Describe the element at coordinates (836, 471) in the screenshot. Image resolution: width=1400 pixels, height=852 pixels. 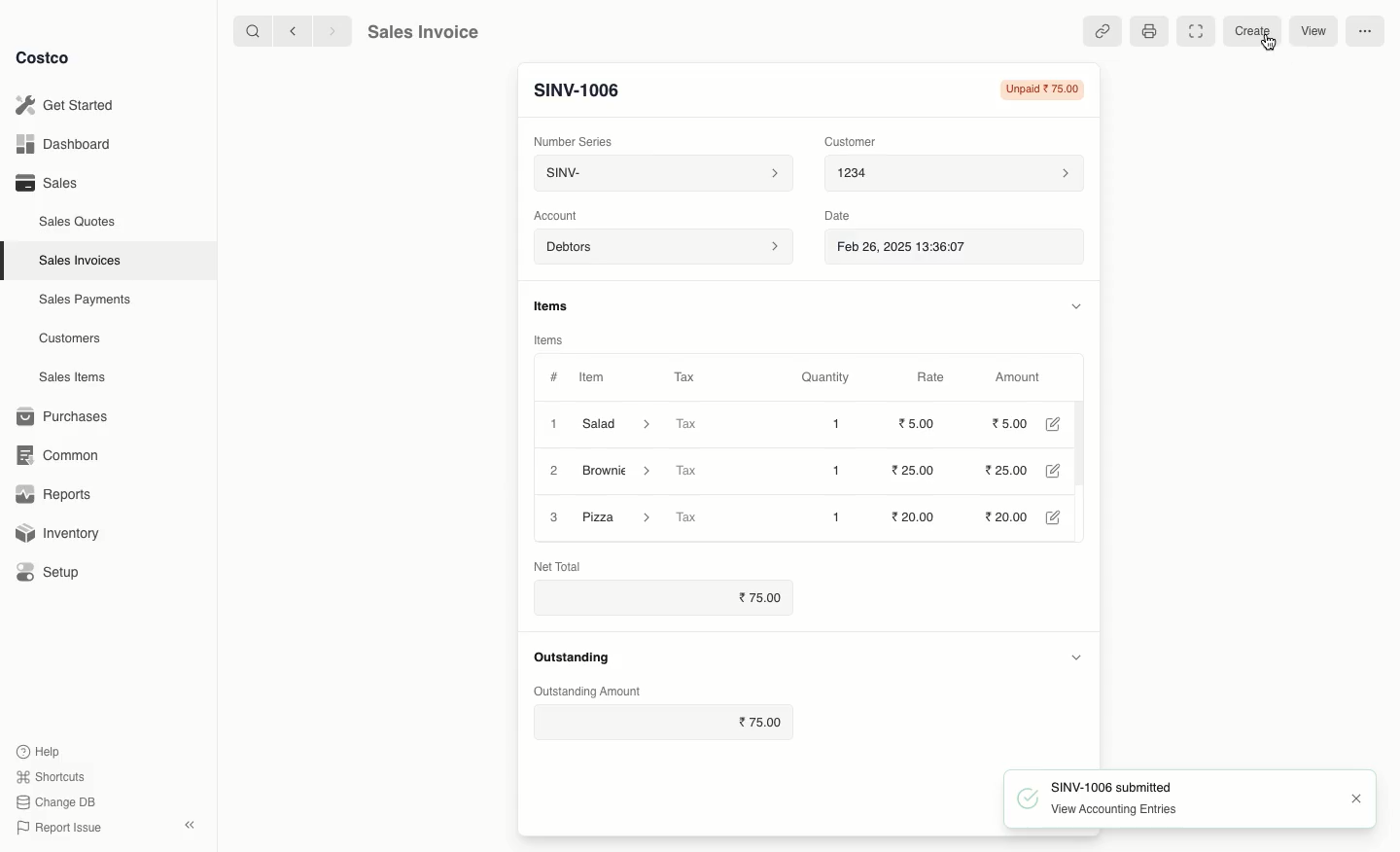
I see `1` at that location.